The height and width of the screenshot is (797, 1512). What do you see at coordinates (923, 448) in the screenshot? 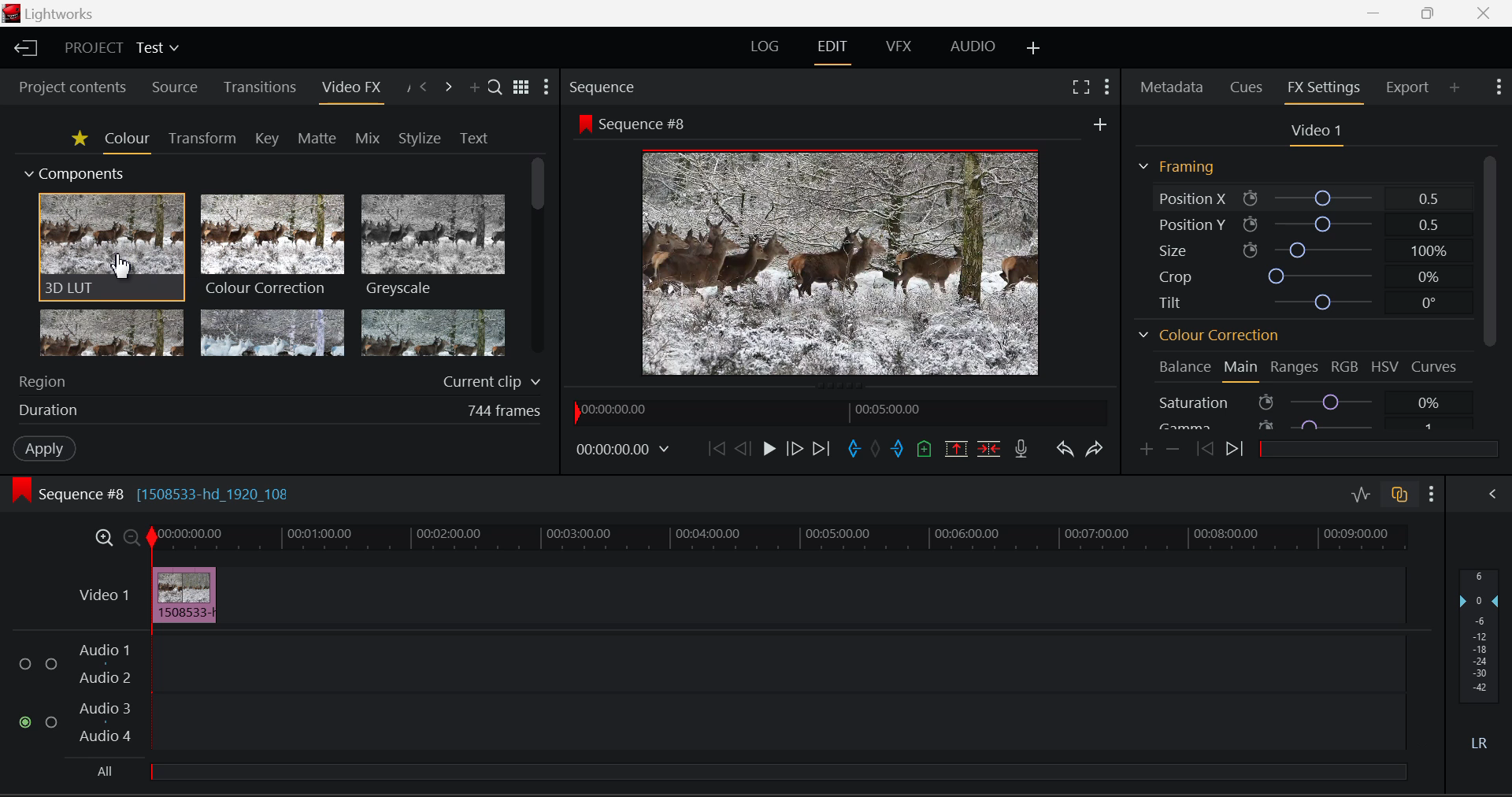
I see `Mark Cue` at bounding box center [923, 448].